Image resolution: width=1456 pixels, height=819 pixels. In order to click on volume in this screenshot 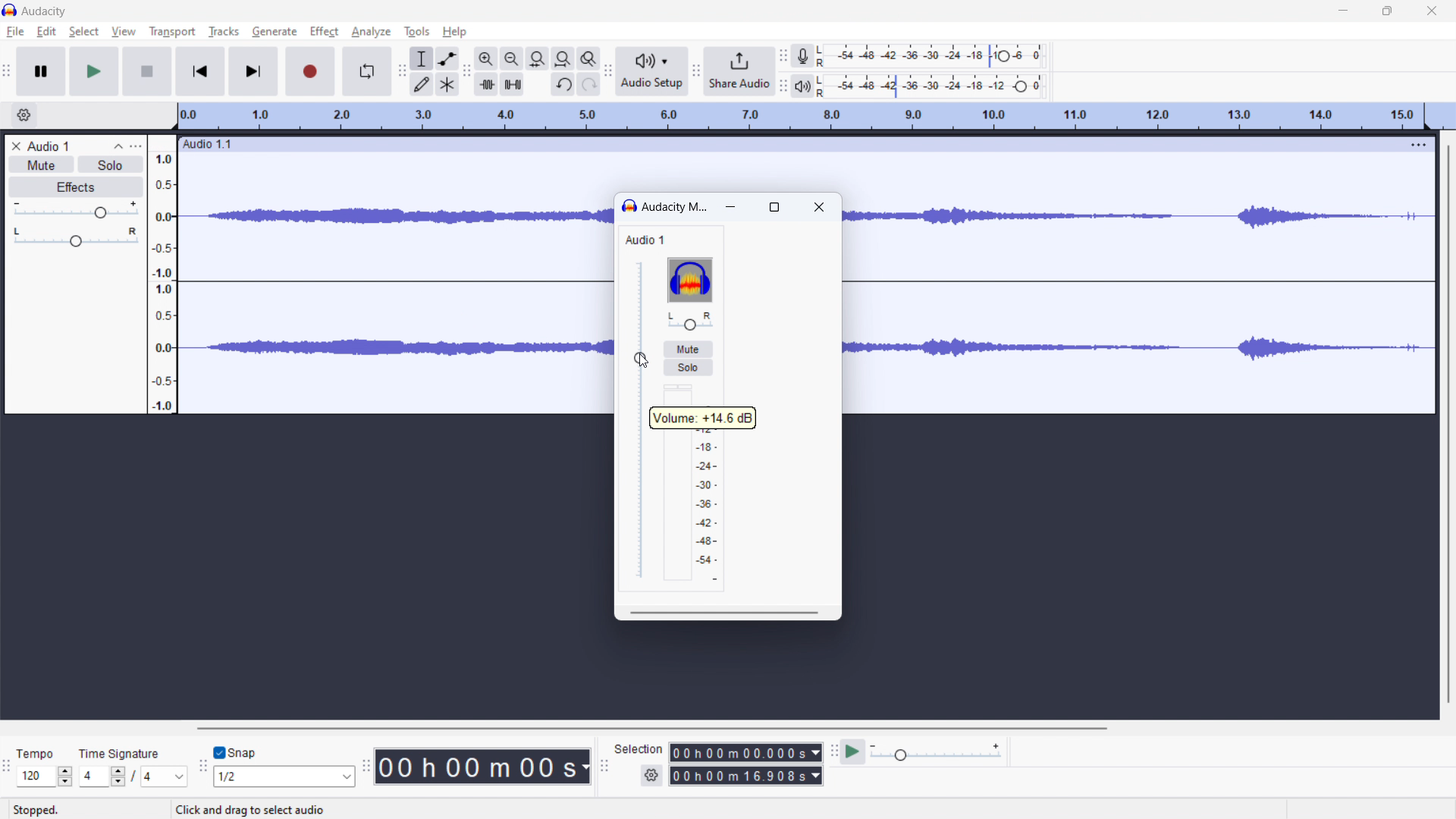, I will do `click(76, 210)`.